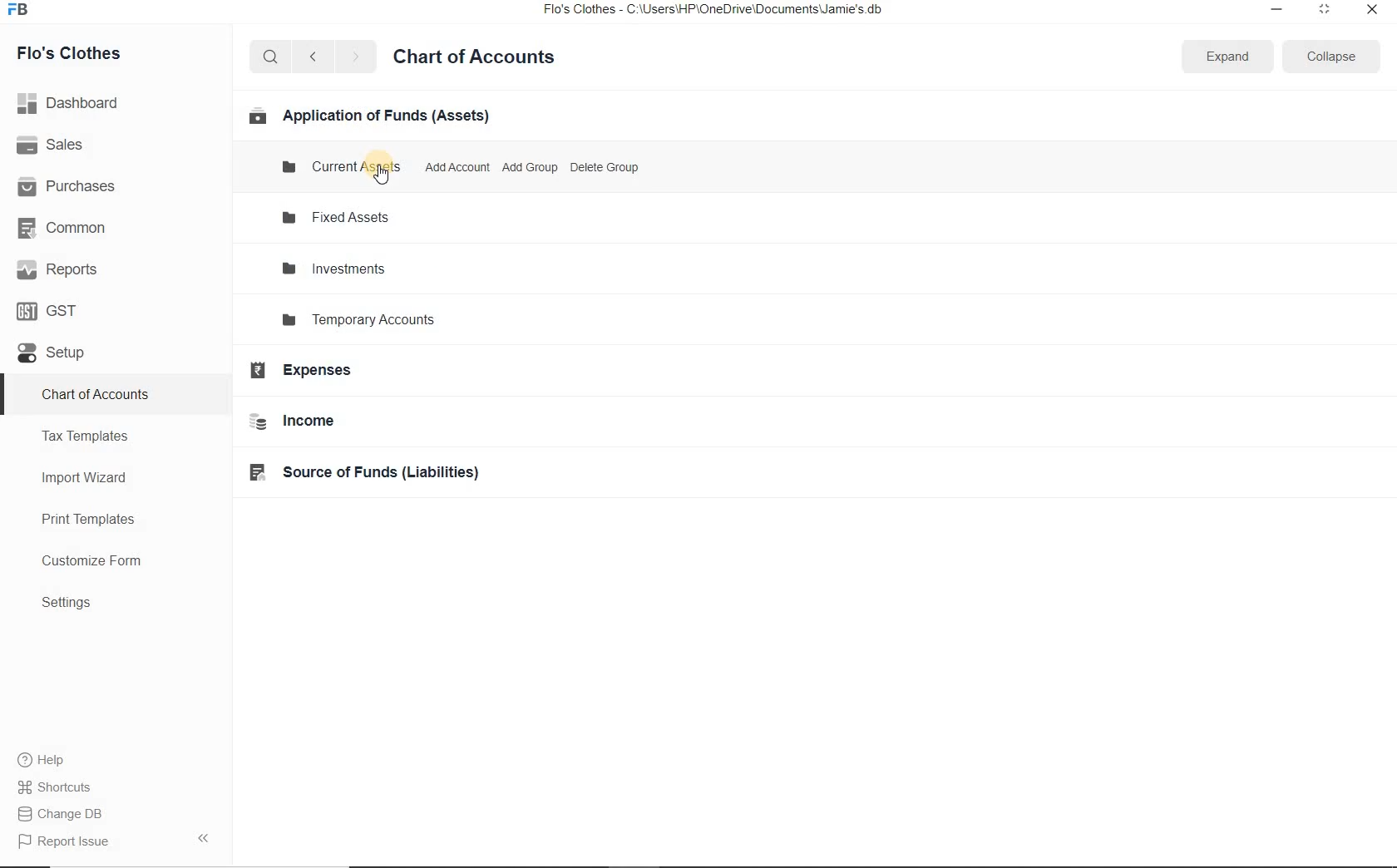  I want to click on help, so click(42, 760).